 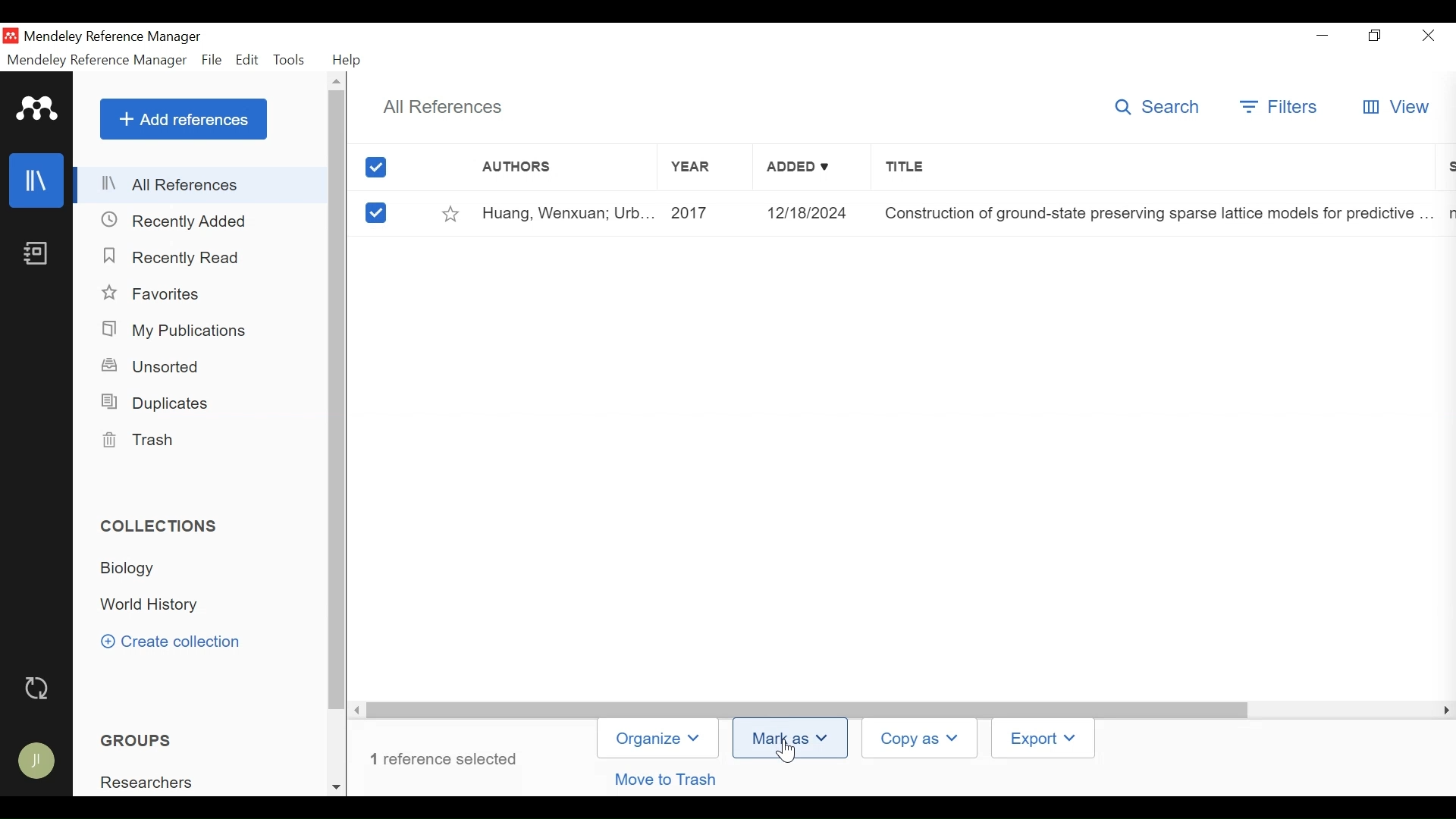 I want to click on My Publications, so click(x=178, y=331).